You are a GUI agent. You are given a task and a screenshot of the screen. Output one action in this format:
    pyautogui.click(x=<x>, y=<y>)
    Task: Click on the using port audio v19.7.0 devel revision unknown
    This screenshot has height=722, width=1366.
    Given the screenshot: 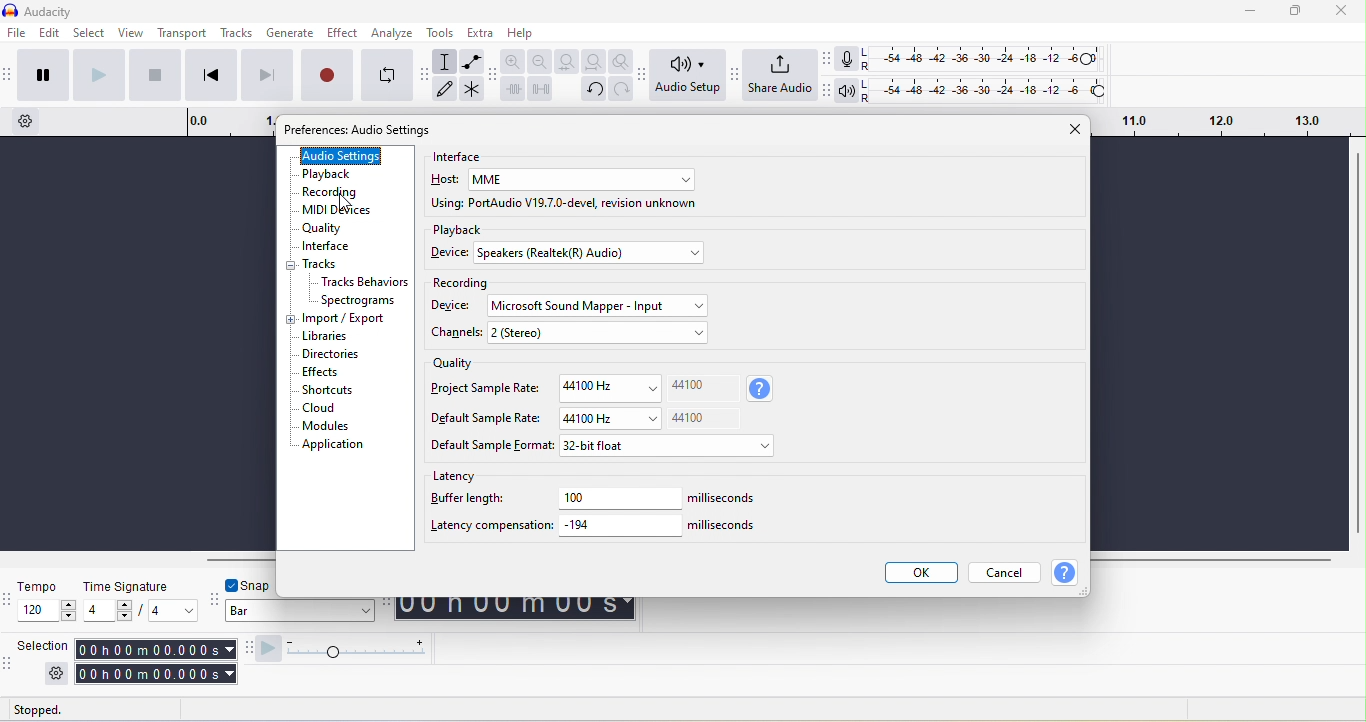 What is the action you would take?
    pyautogui.click(x=572, y=204)
    